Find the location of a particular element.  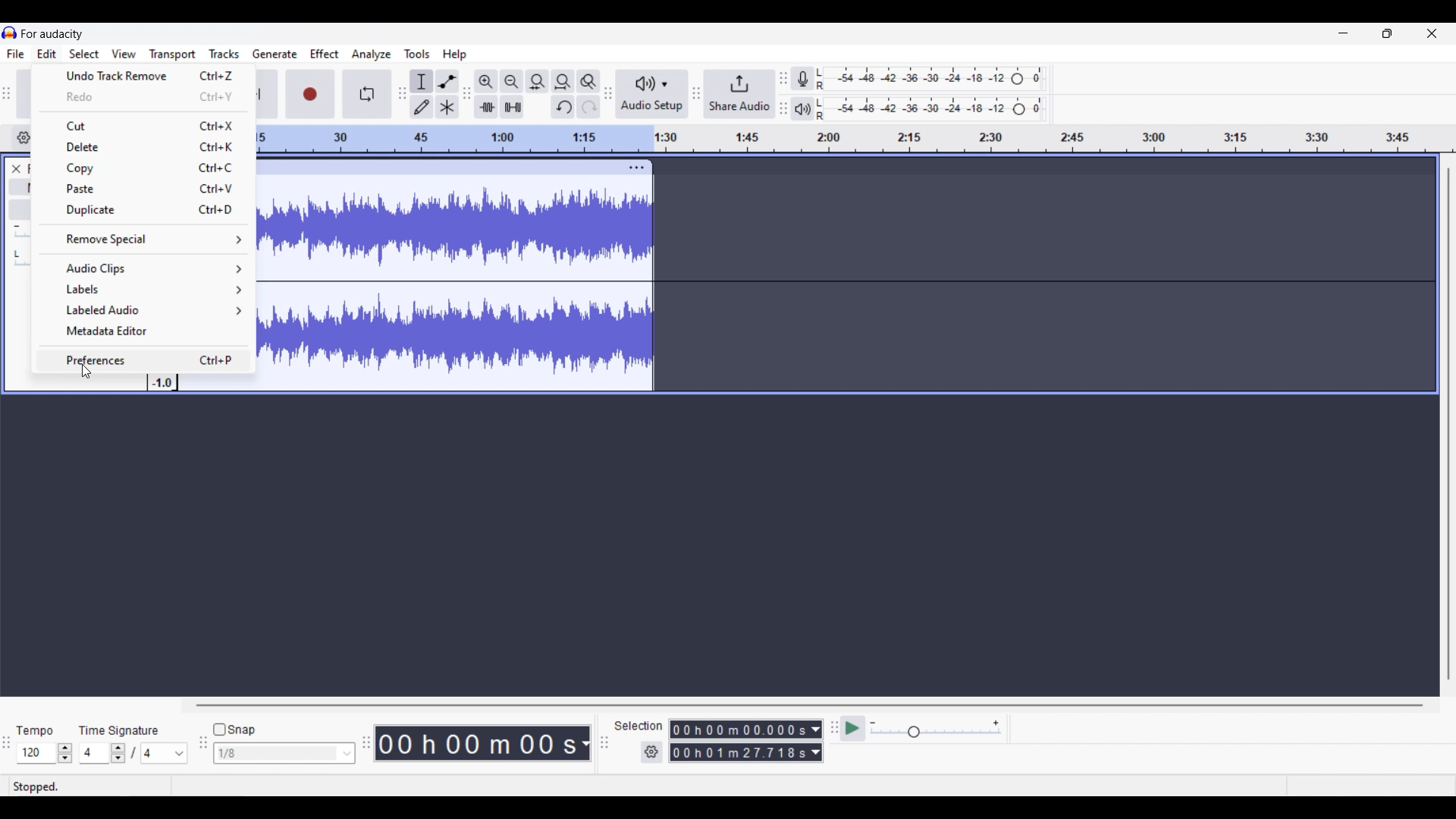

Draw tool is located at coordinates (422, 107).